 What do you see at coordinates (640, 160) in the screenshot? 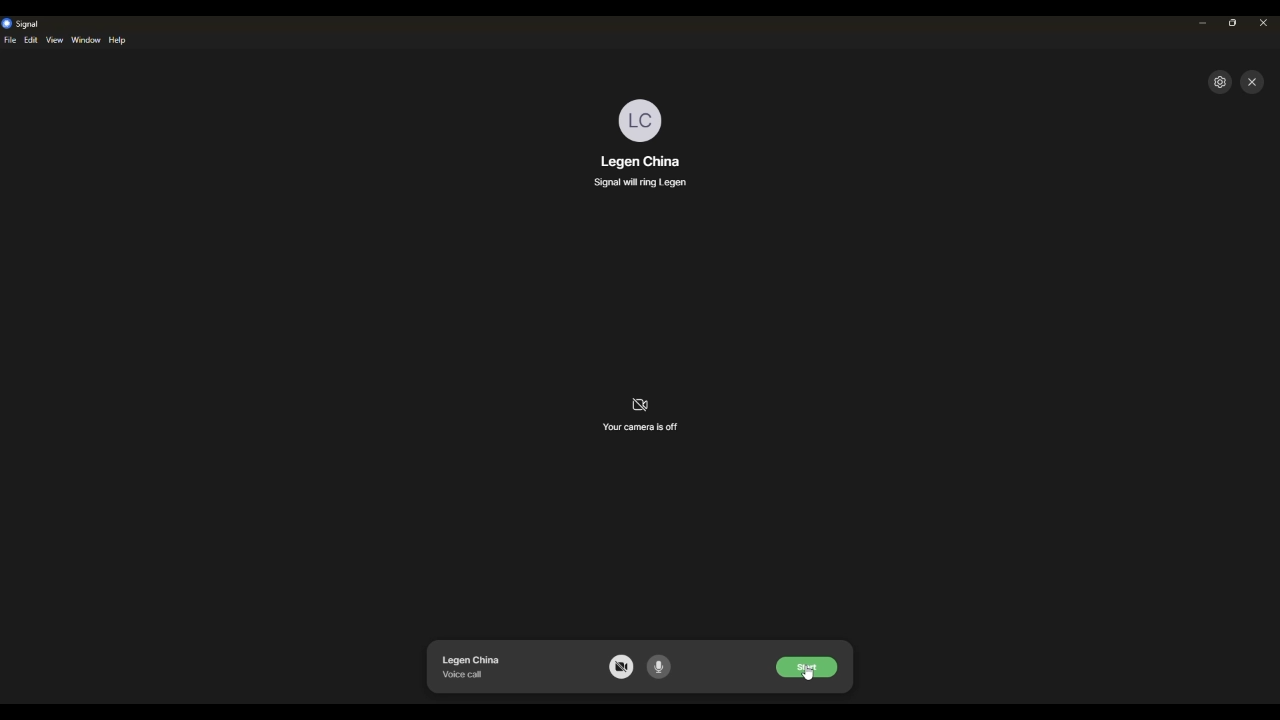
I see `legen china` at bounding box center [640, 160].